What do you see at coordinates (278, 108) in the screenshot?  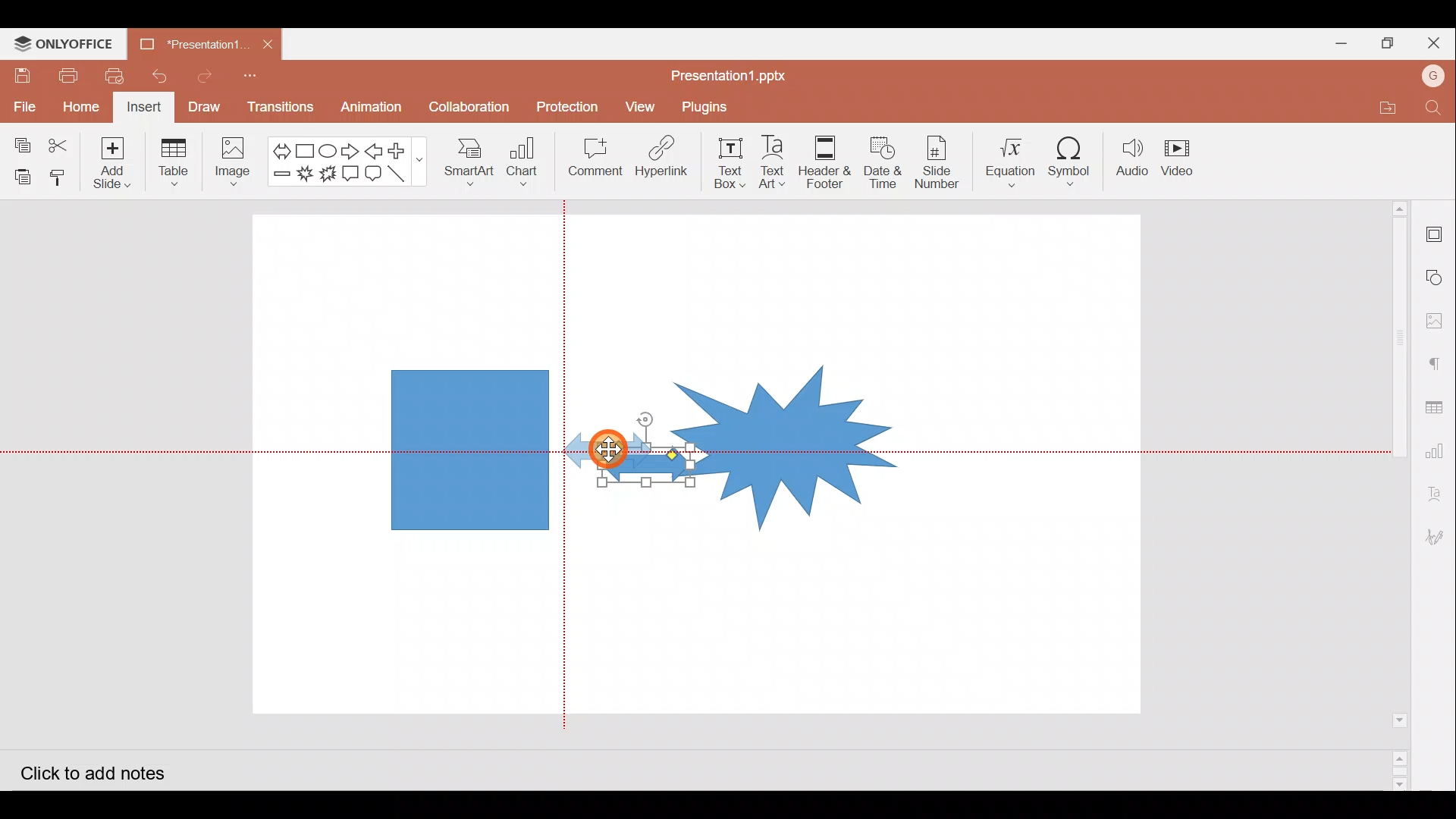 I see `Transitions` at bounding box center [278, 108].